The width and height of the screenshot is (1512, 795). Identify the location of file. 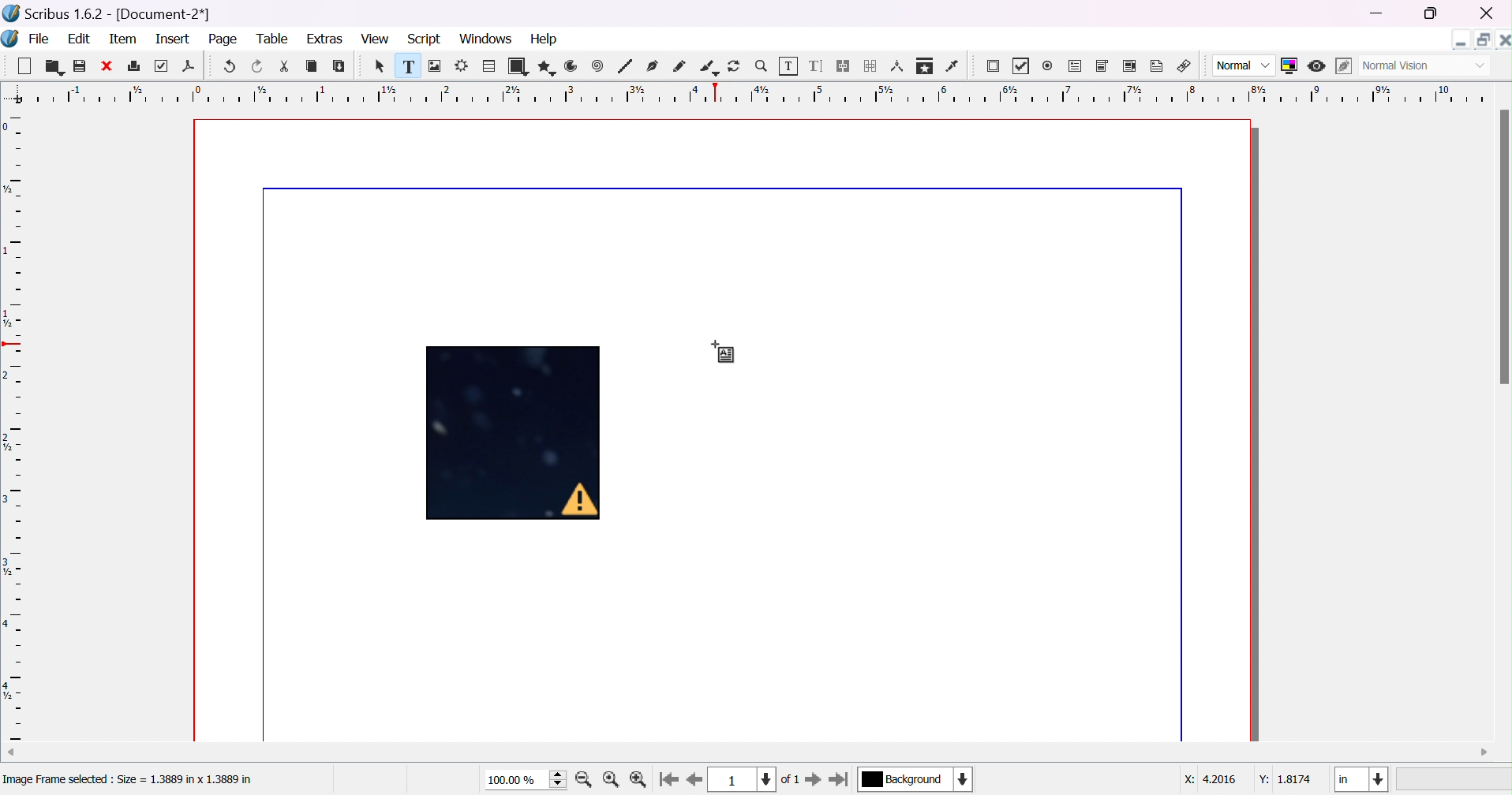
(39, 38).